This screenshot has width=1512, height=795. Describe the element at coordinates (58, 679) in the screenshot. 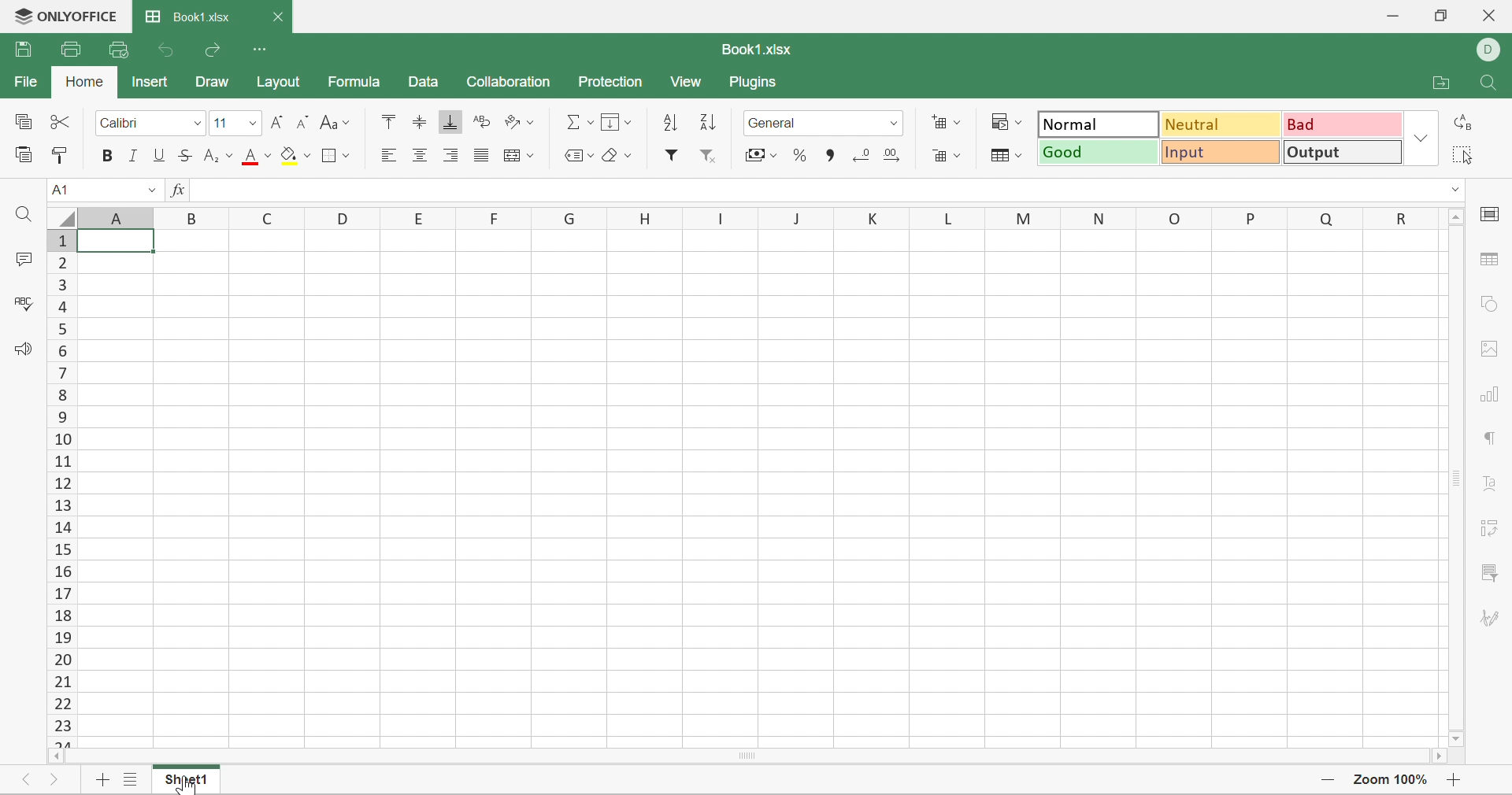

I see `21` at that location.